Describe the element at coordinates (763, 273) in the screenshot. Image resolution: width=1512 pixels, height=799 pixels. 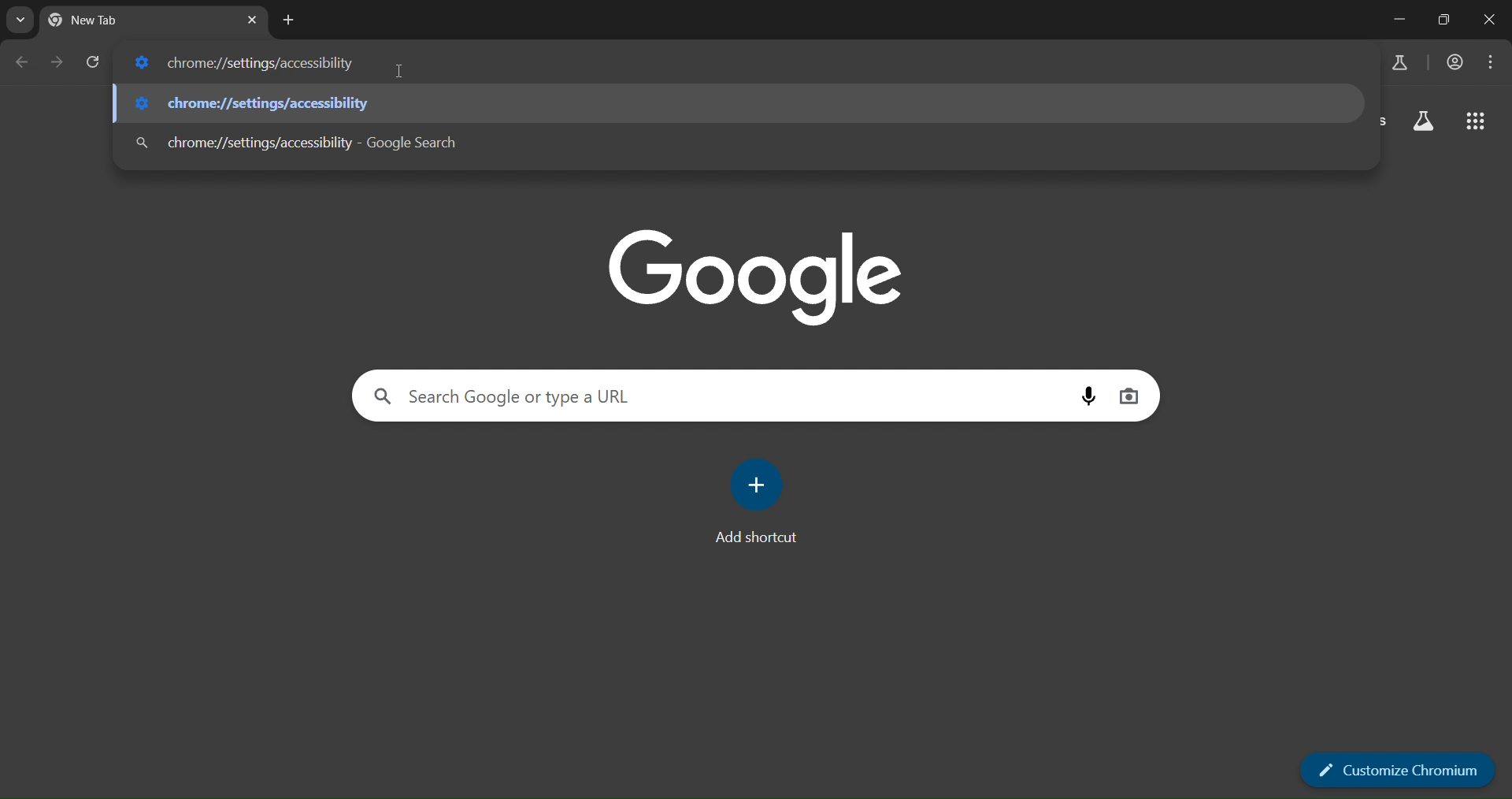
I see `google ` at that location.